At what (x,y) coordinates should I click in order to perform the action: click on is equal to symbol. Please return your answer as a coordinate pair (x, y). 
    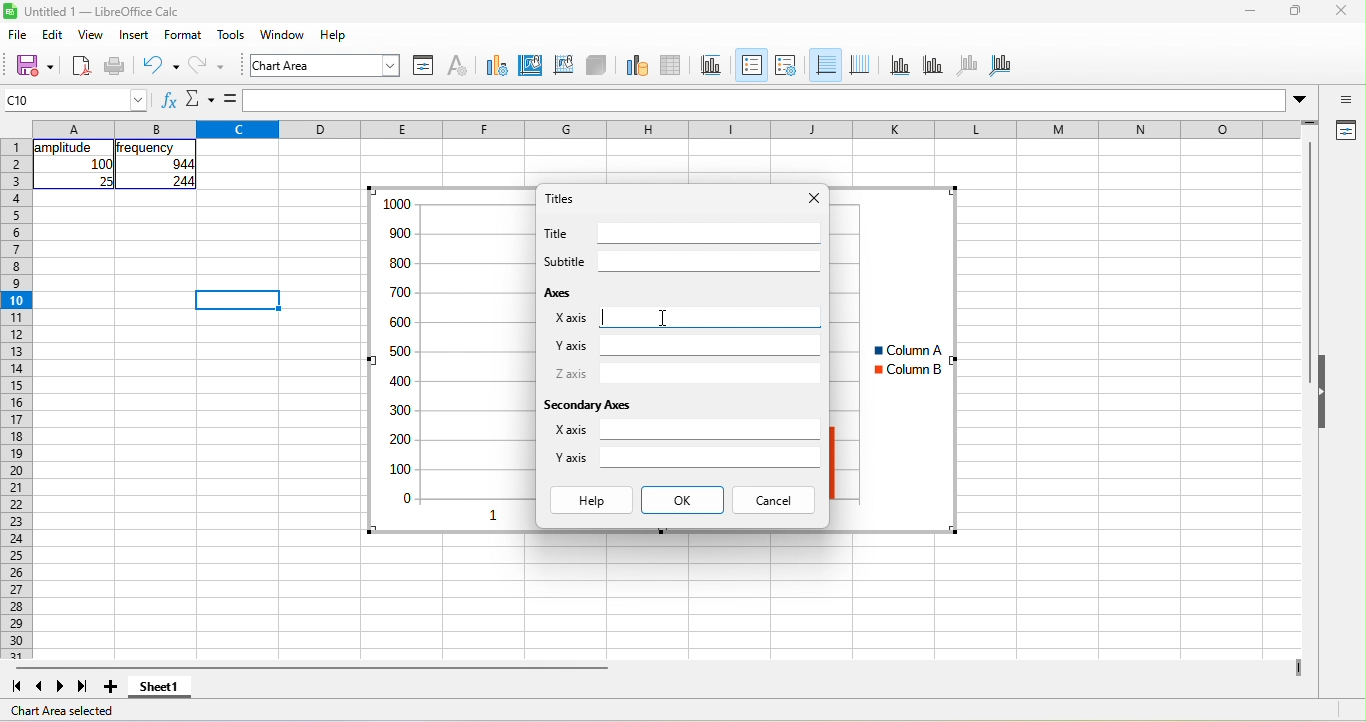
    Looking at the image, I should click on (230, 99).